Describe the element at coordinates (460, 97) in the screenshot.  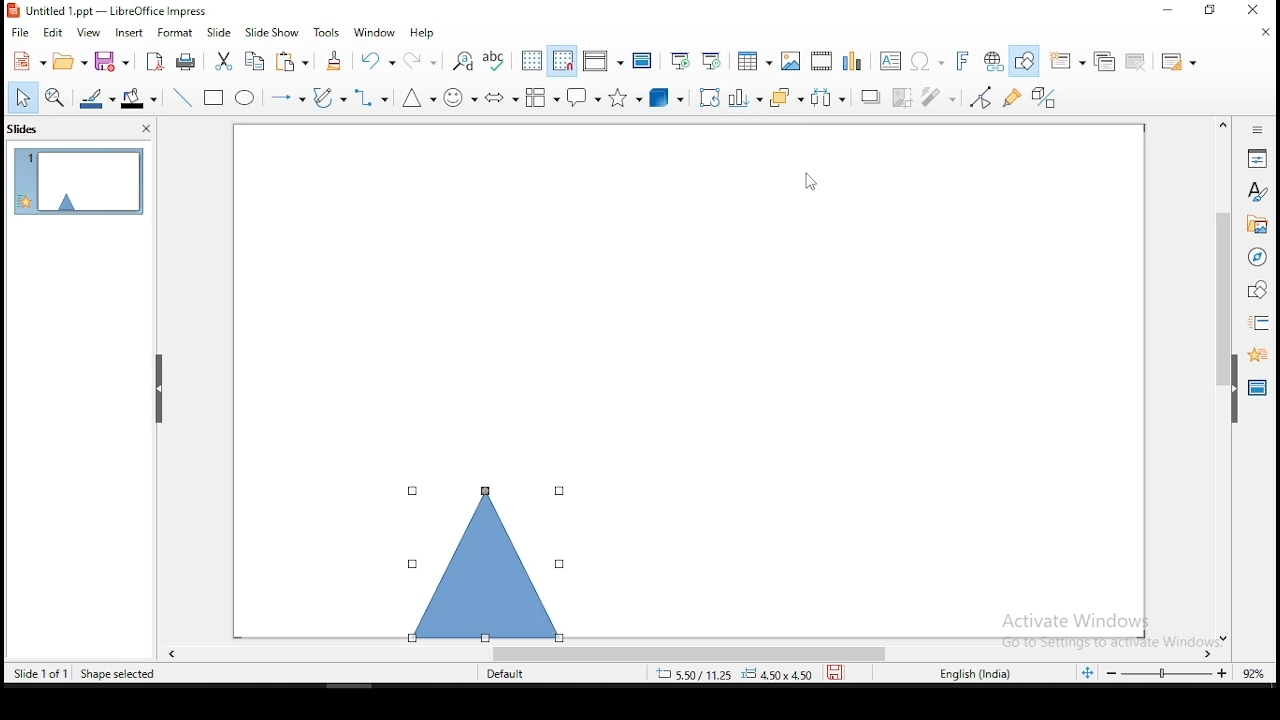
I see `symbol shapes` at that location.